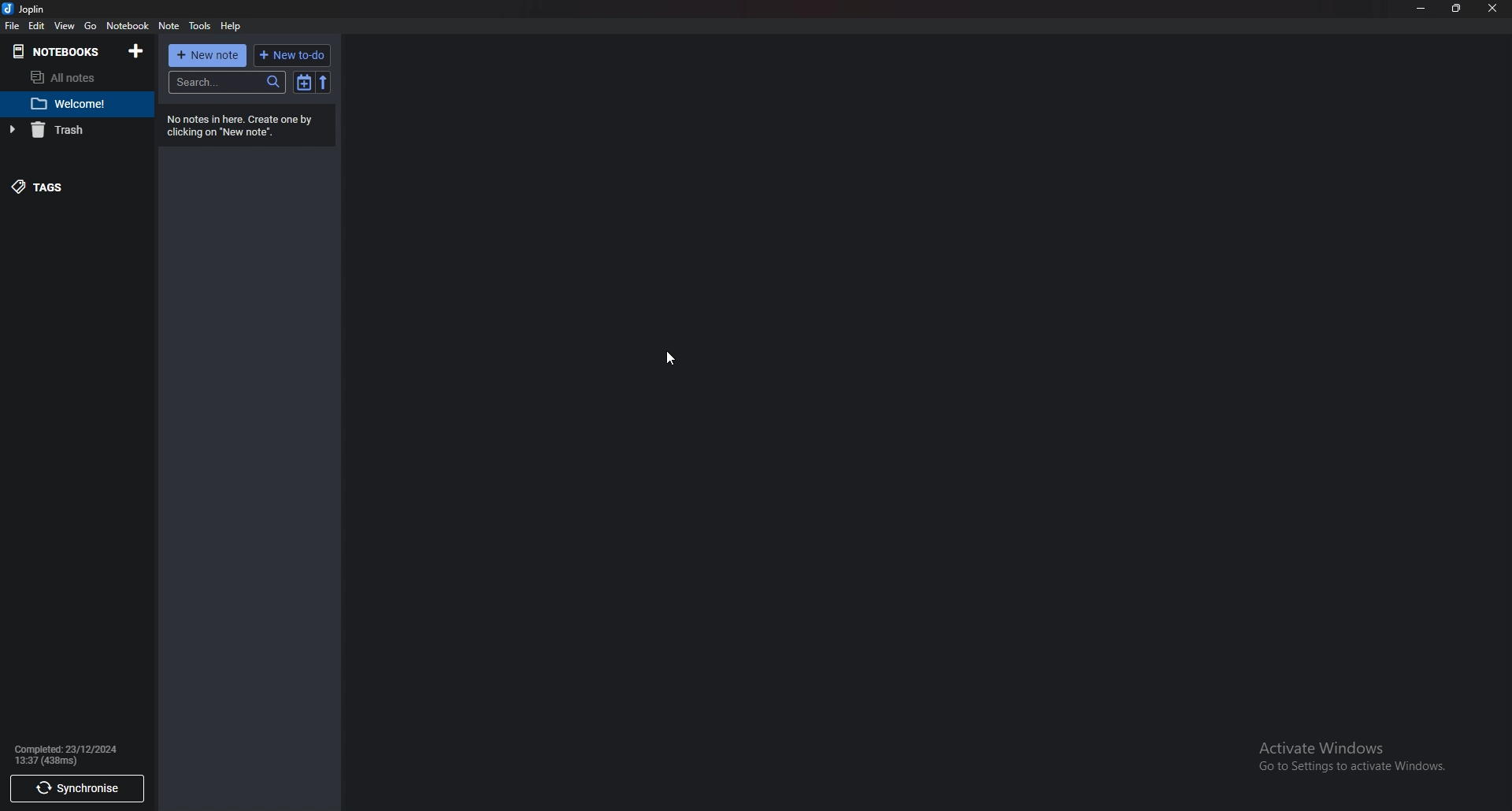  I want to click on All notes, so click(70, 77).